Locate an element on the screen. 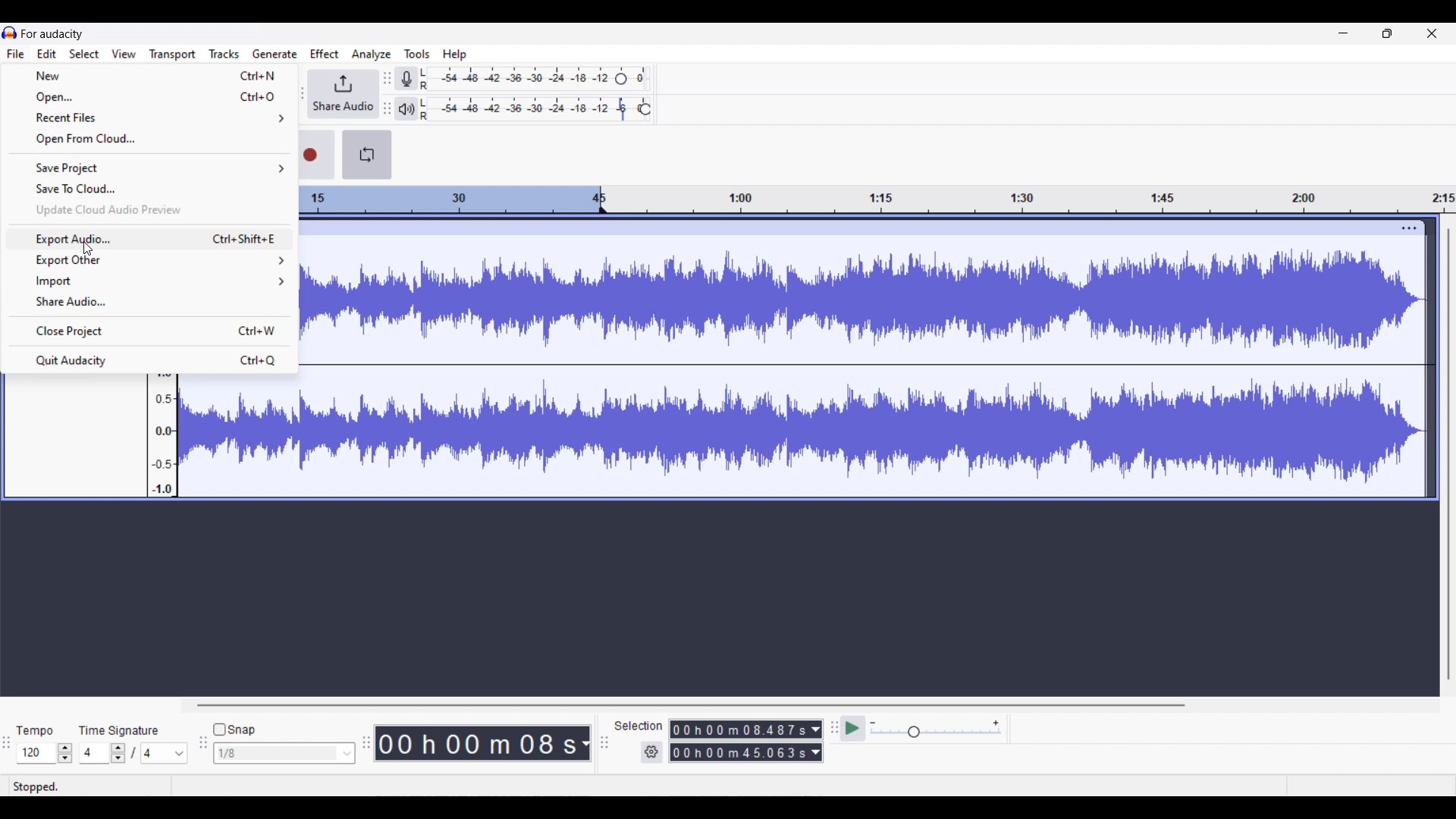 Image resolution: width=1456 pixels, height=819 pixels. Indicates selection duration is located at coordinates (639, 726).